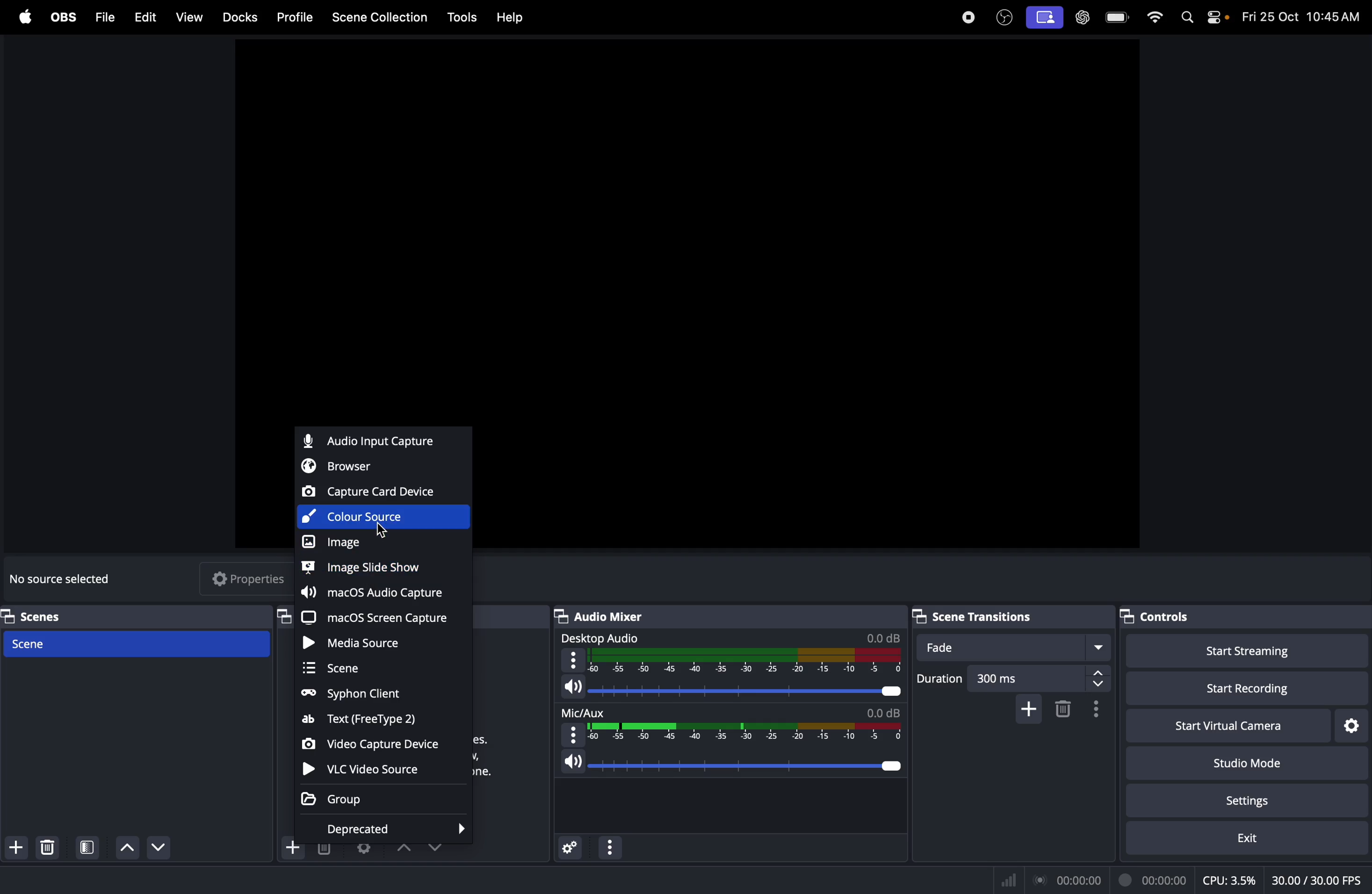 This screenshot has height=894, width=1372. Describe the element at coordinates (514, 18) in the screenshot. I see `help` at that location.